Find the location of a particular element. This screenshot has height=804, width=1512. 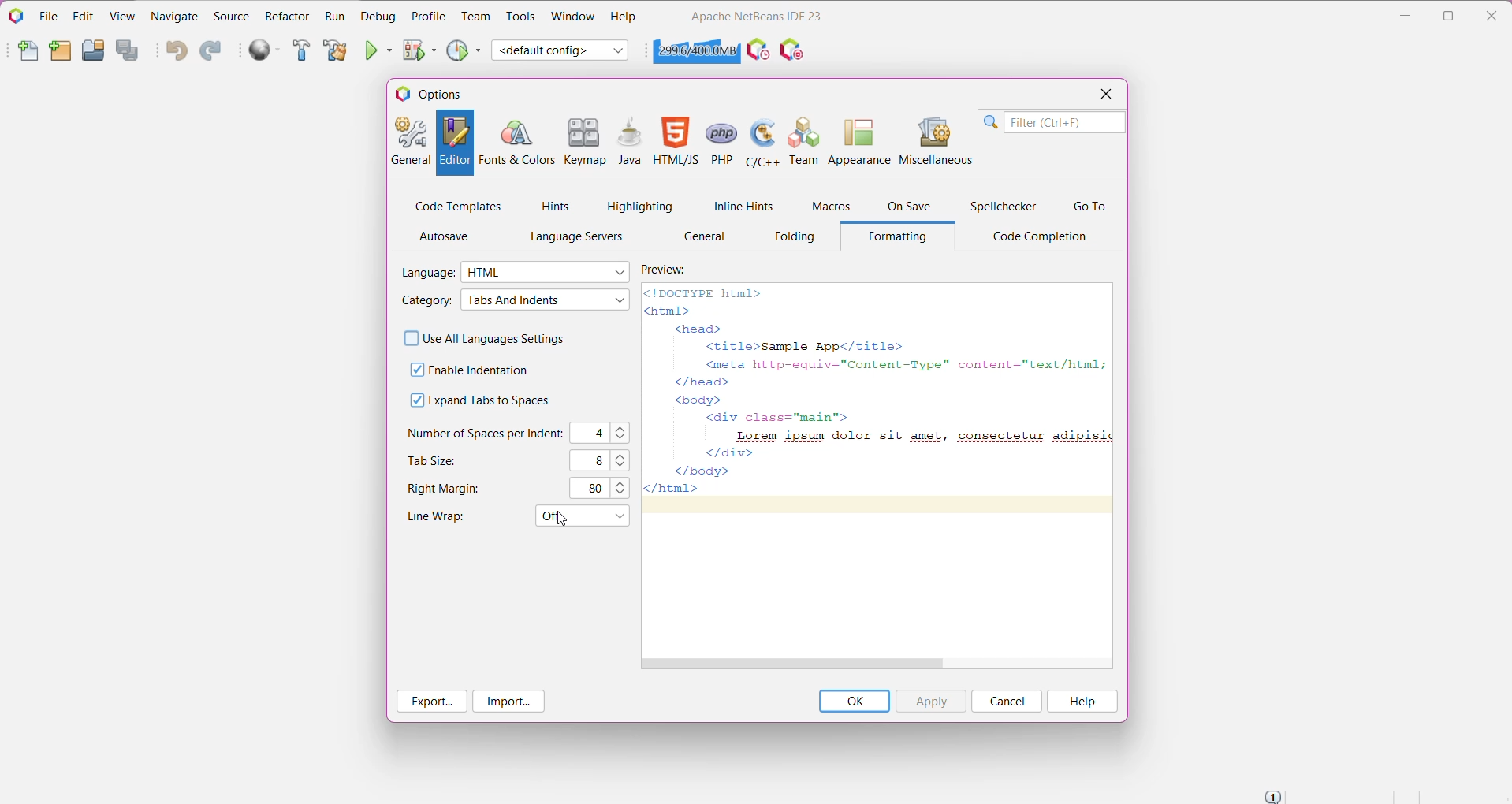

New File is located at coordinates (27, 54).